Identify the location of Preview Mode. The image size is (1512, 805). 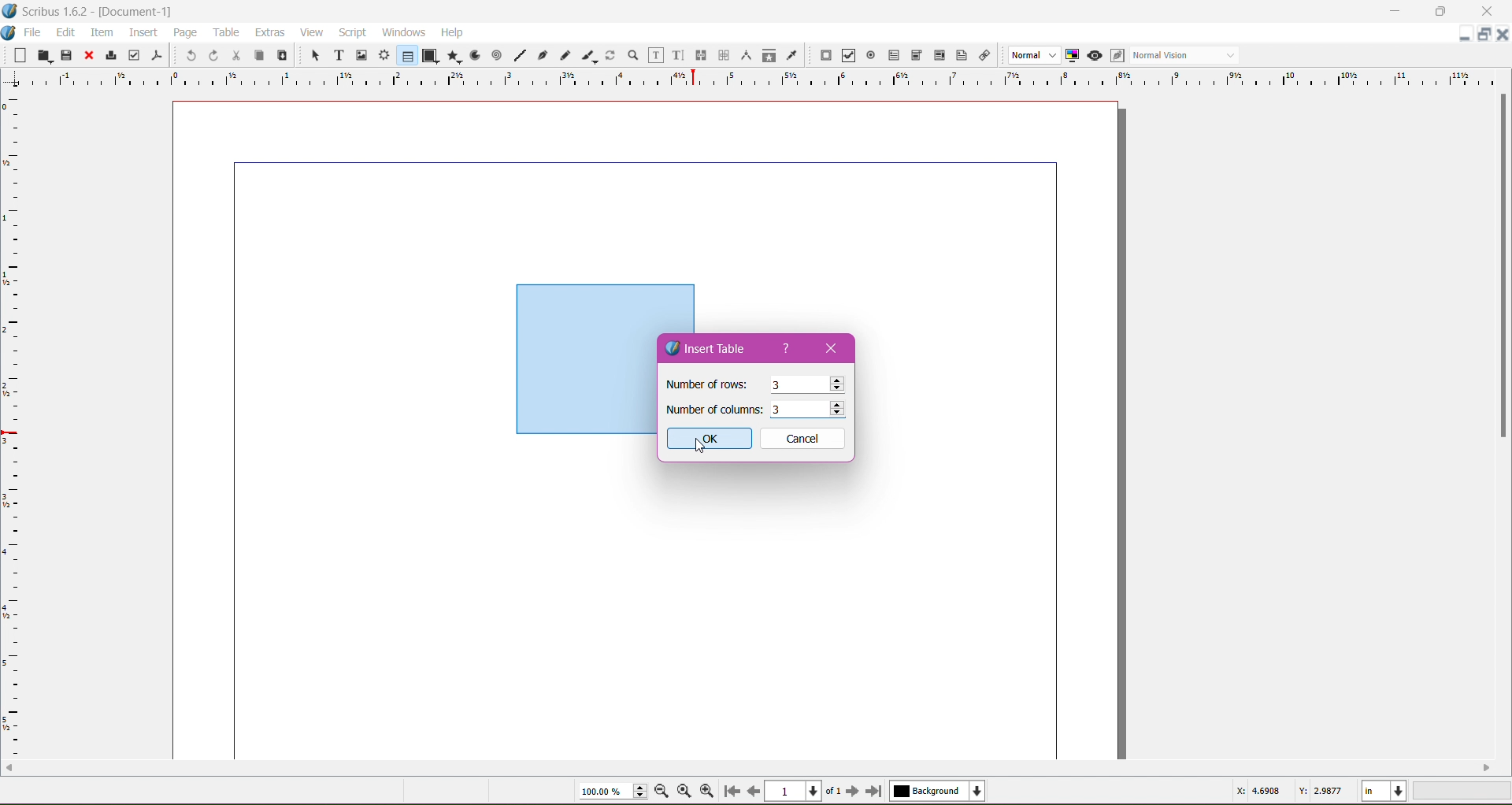
(1094, 55).